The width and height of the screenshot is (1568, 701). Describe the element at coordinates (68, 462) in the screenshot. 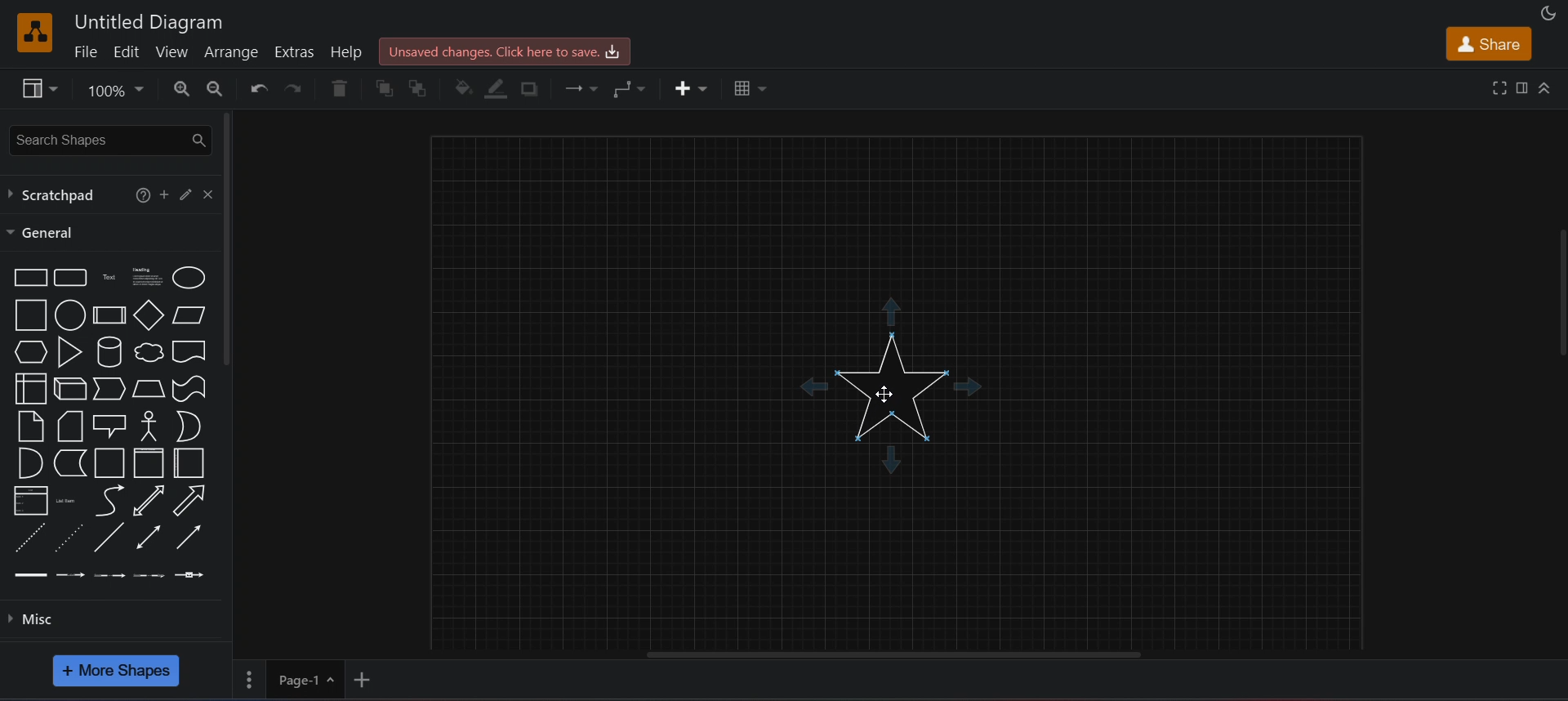

I see `data storage` at that location.